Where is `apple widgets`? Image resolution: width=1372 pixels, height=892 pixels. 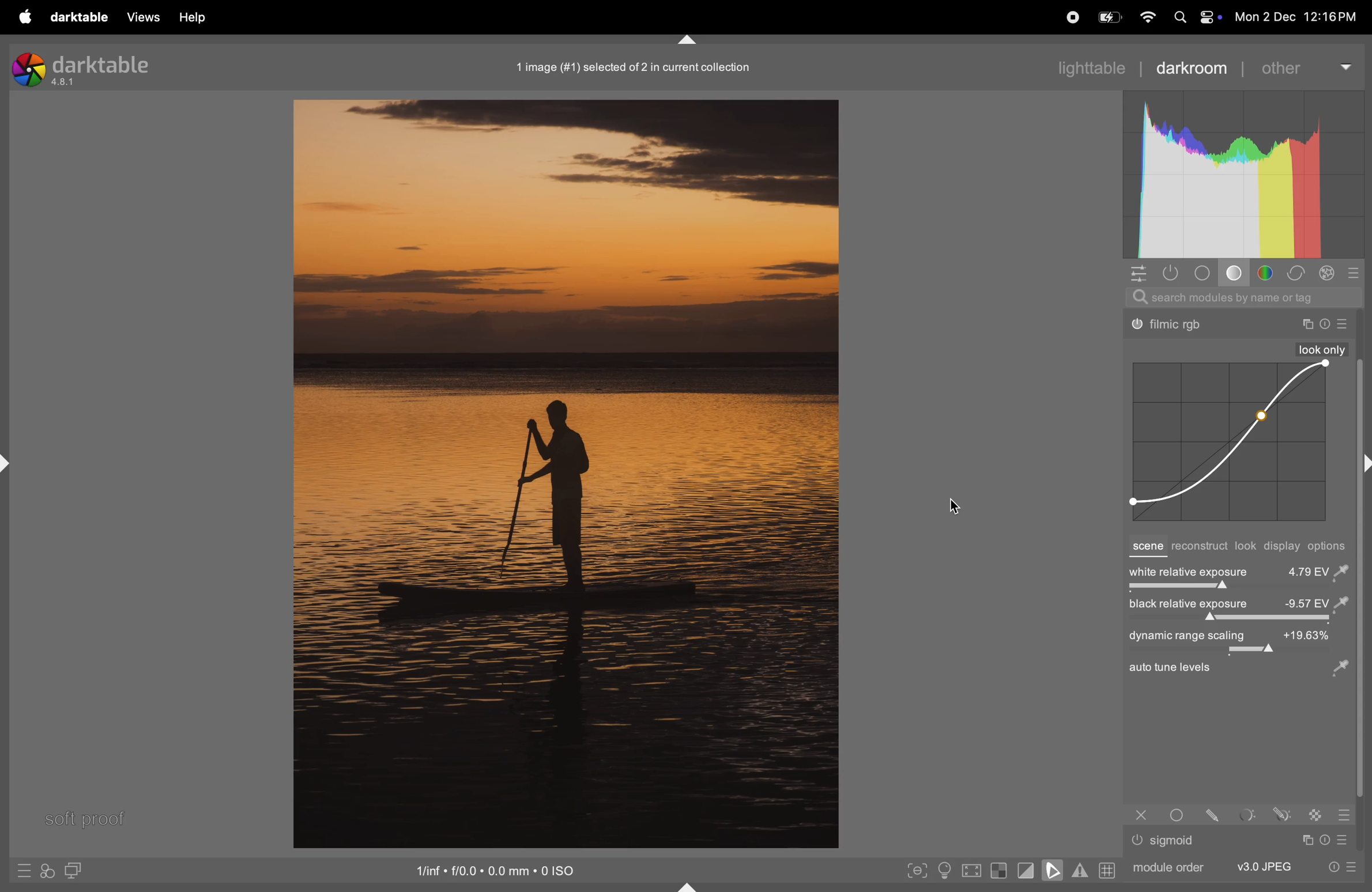 apple widgets is located at coordinates (1194, 18).